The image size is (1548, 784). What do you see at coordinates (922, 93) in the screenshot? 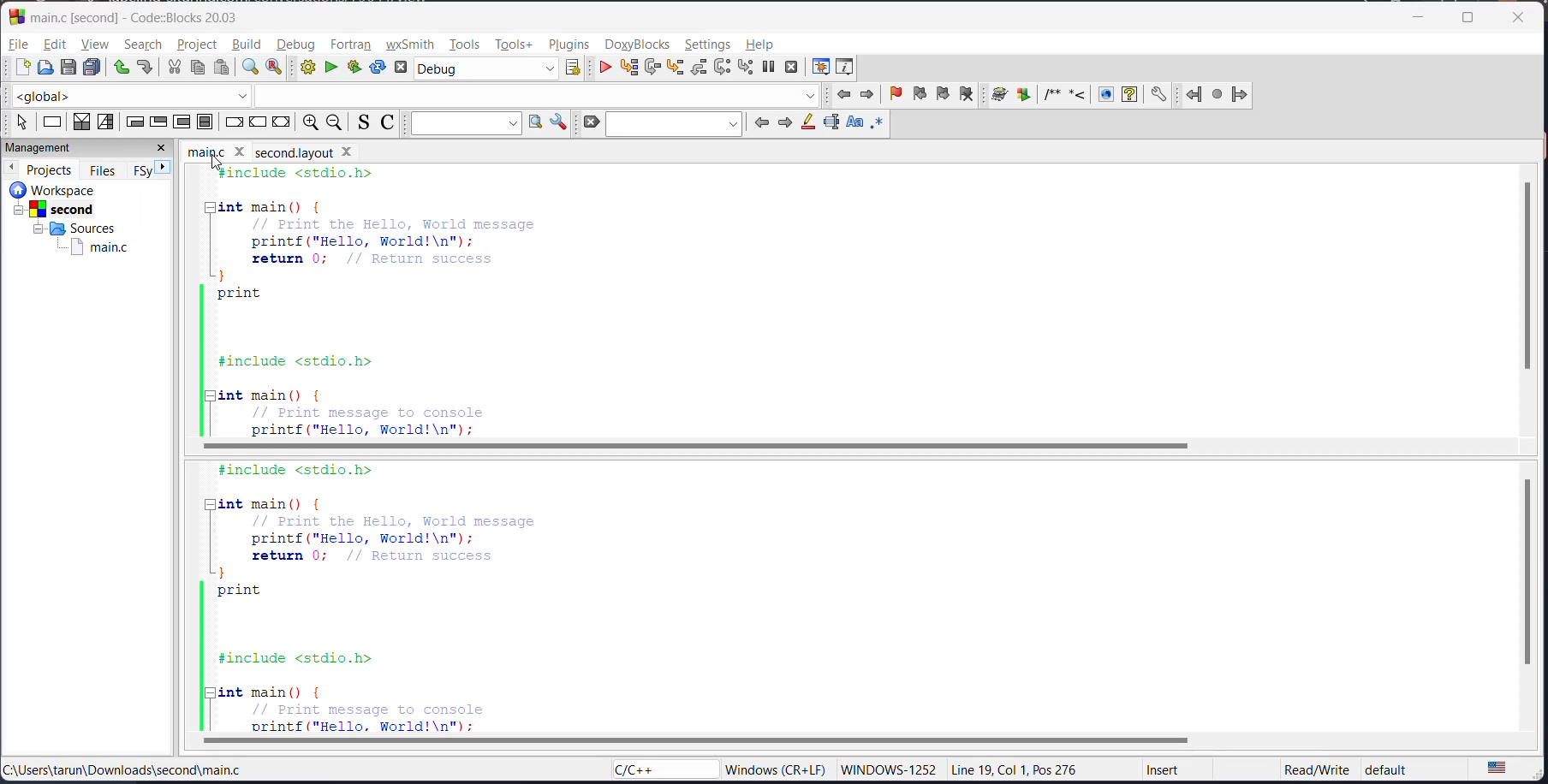
I see `previous bookmark` at bounding box center [922, 93].